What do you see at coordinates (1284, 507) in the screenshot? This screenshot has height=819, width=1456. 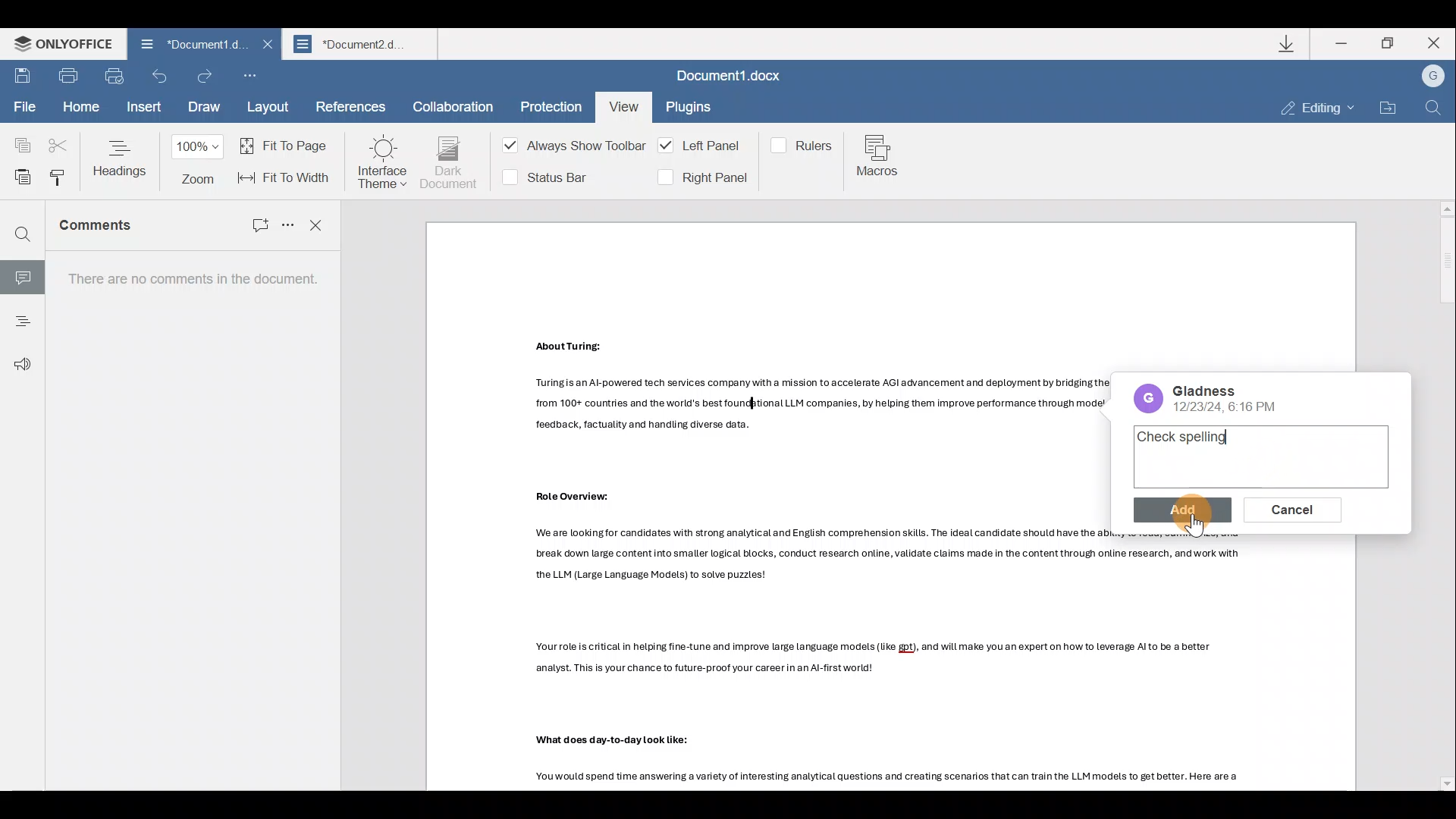 I see `Cancel` at bounding box center [1284, 507].